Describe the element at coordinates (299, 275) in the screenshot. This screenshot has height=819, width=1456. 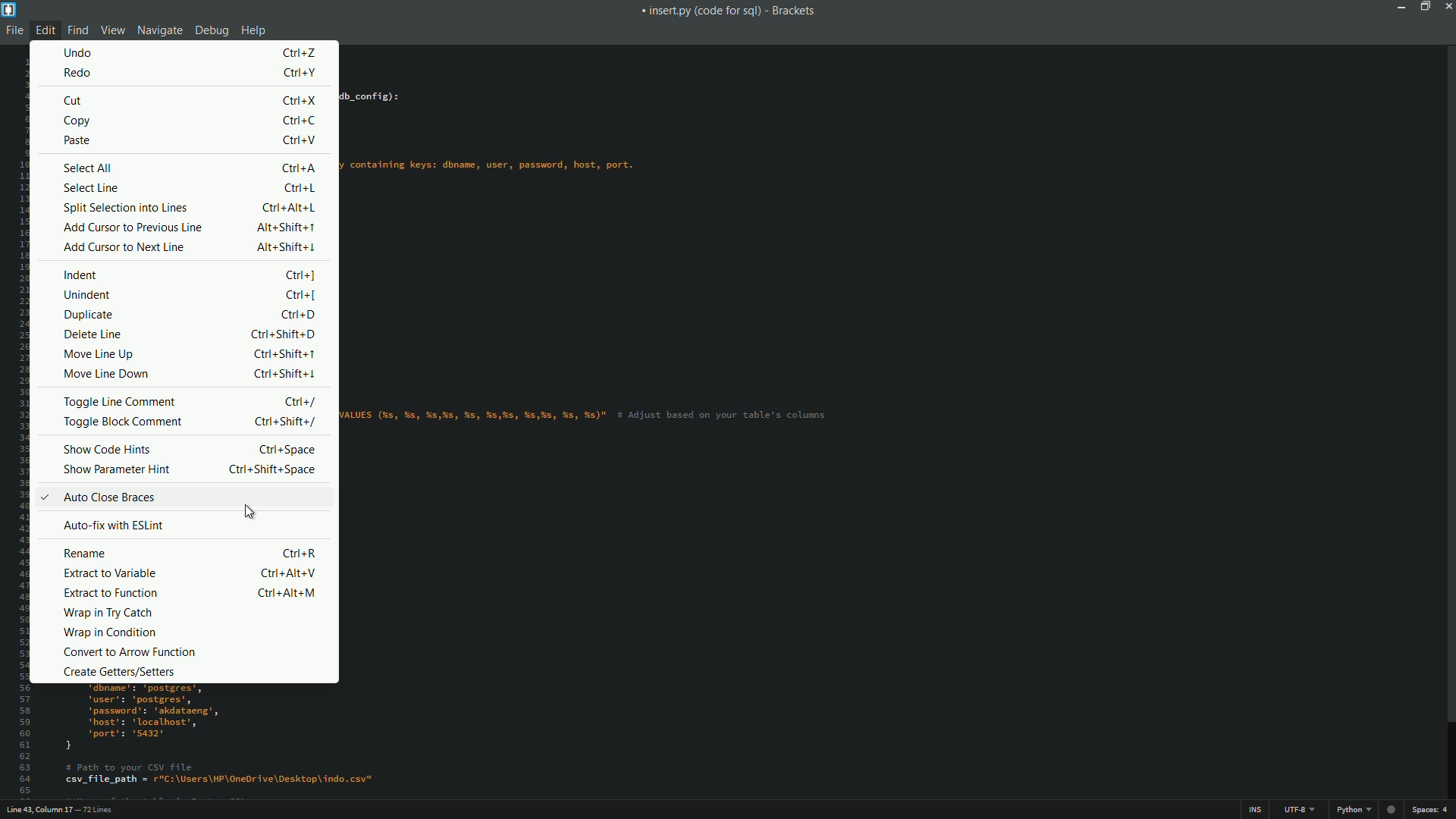
I see `keyboard shortcut` at that location.